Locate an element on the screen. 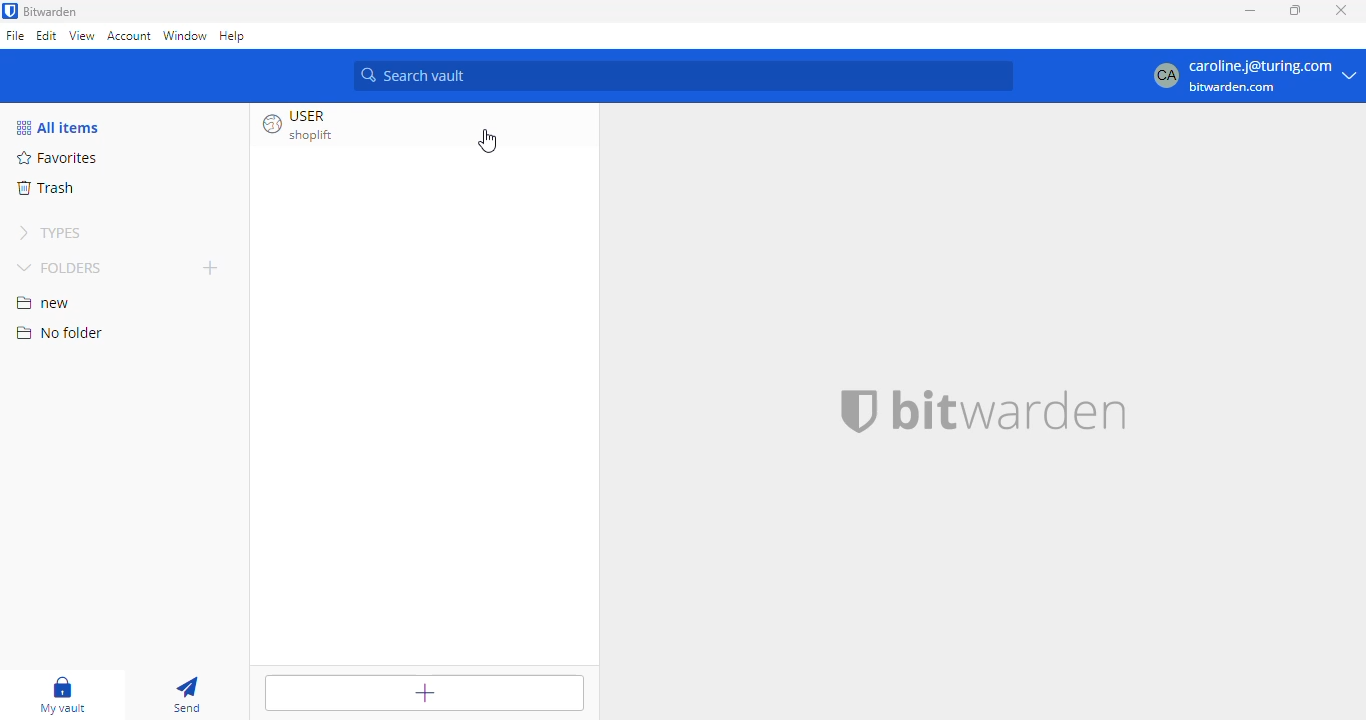  add item is located at coordinates (423, 692).